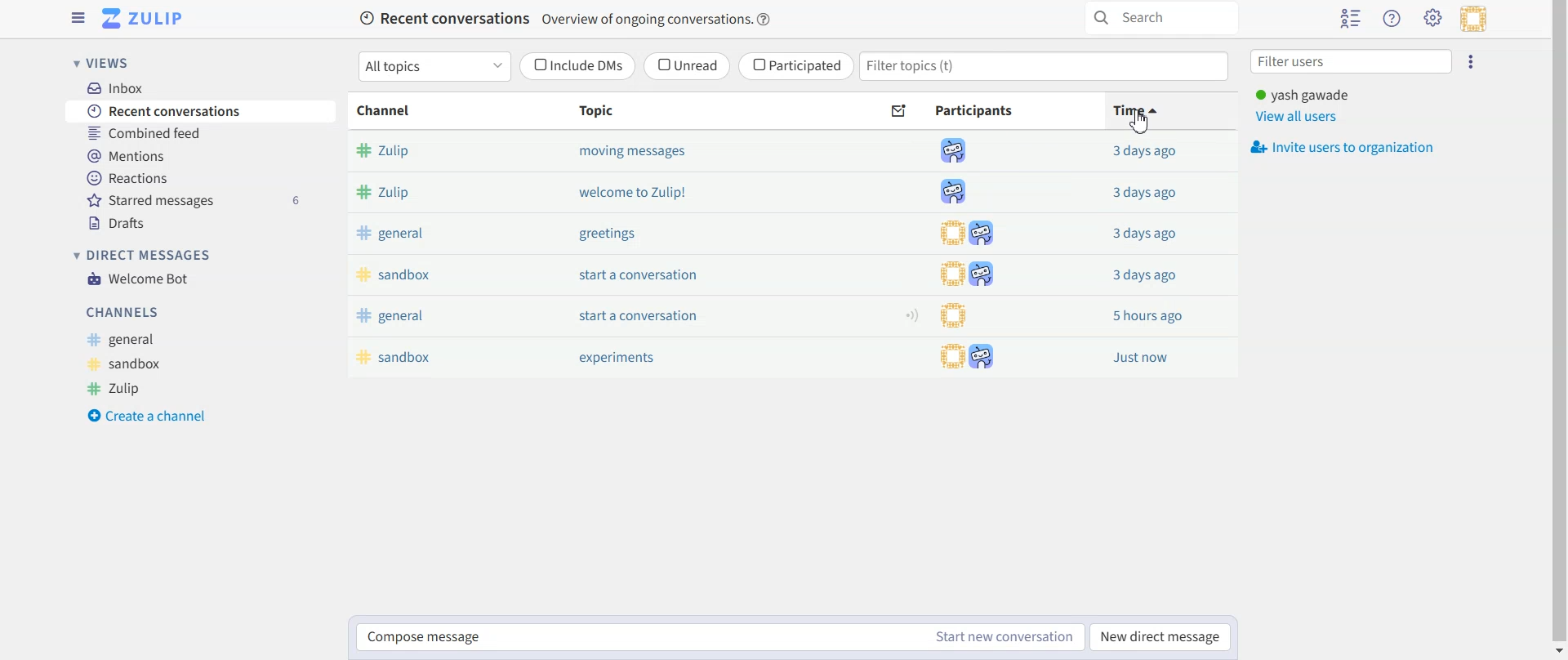  What do you see at coordinates (140, 279) in the screenshot?
I see `Welcome Bot` at bounding box center [140, 279].